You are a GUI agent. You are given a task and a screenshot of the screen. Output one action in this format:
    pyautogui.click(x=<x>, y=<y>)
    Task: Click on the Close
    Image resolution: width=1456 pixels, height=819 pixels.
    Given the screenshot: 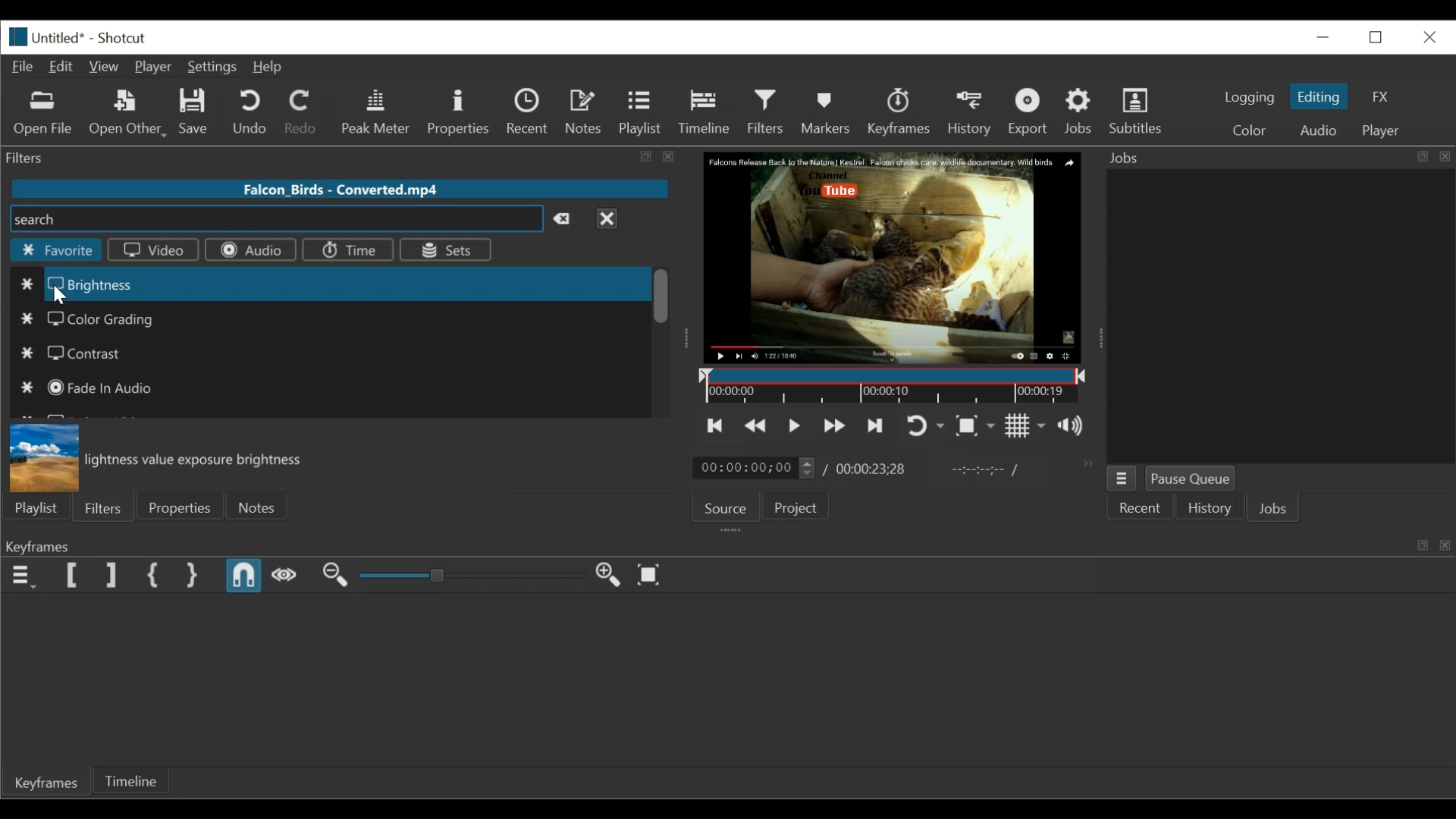 What is the action you would take?
    pyautogui.click(x=1429, y=38)
    